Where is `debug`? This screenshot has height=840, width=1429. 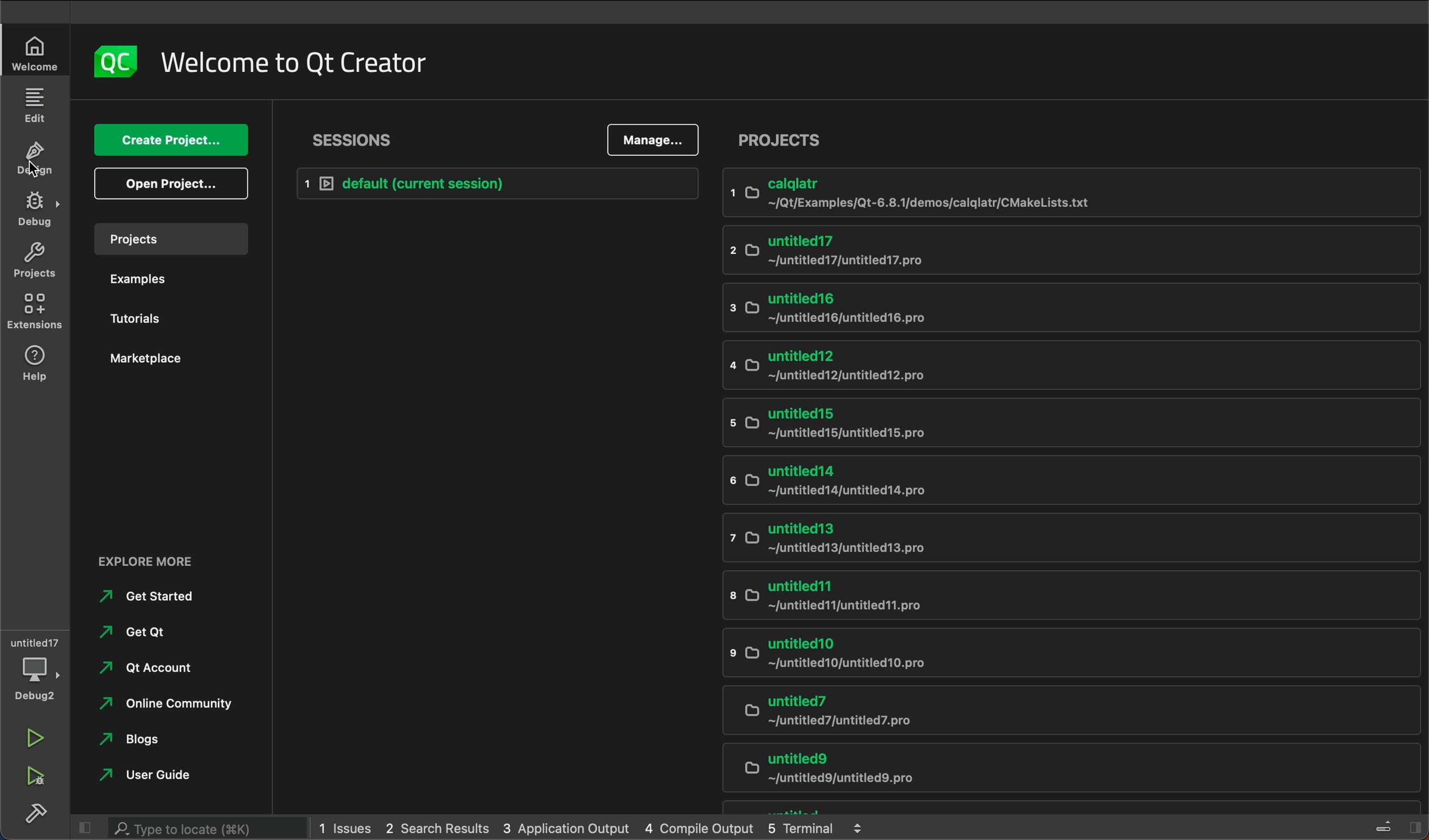 debug is located at coordinates (39, 213).